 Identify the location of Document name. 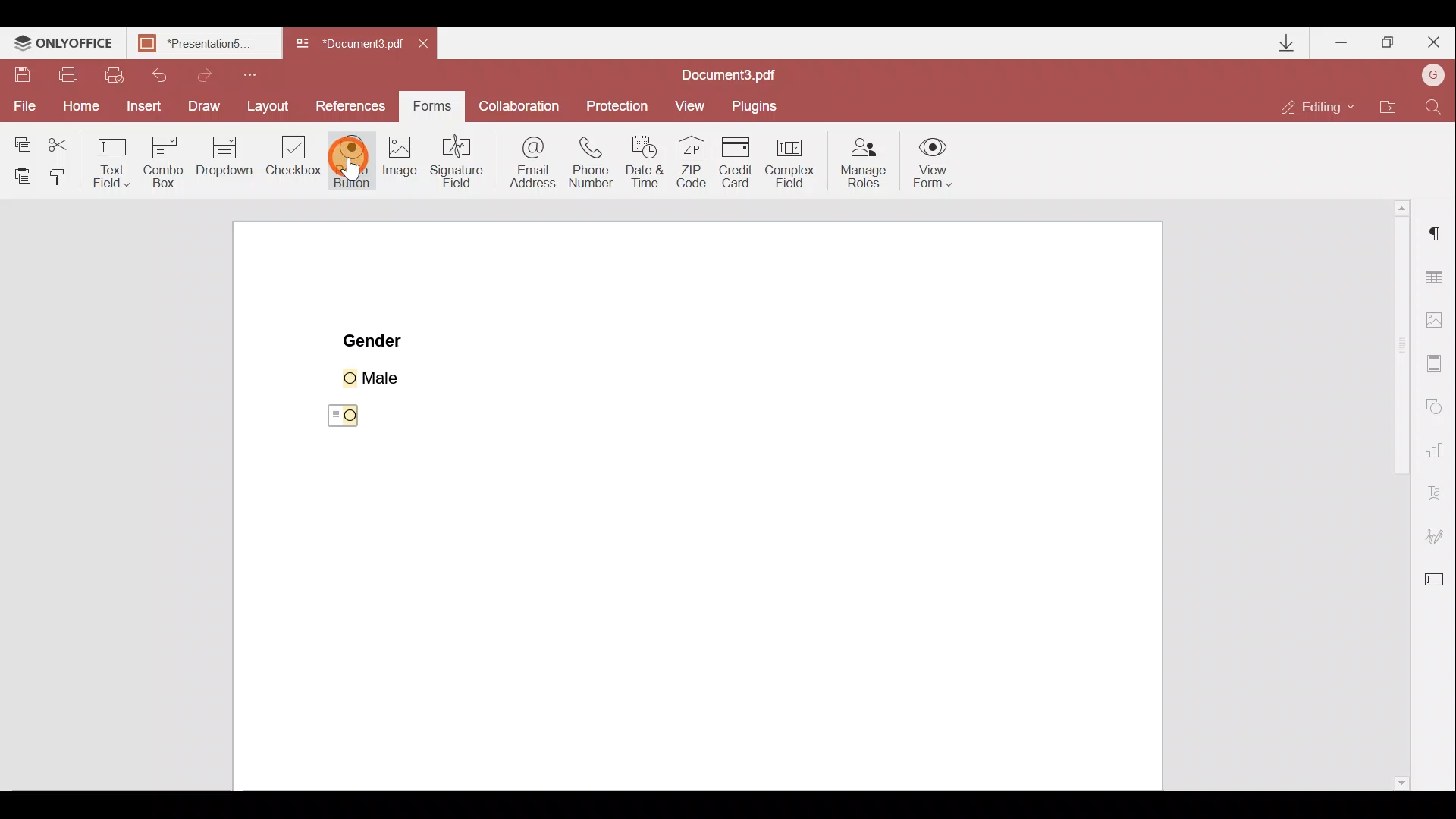
(352, 44).